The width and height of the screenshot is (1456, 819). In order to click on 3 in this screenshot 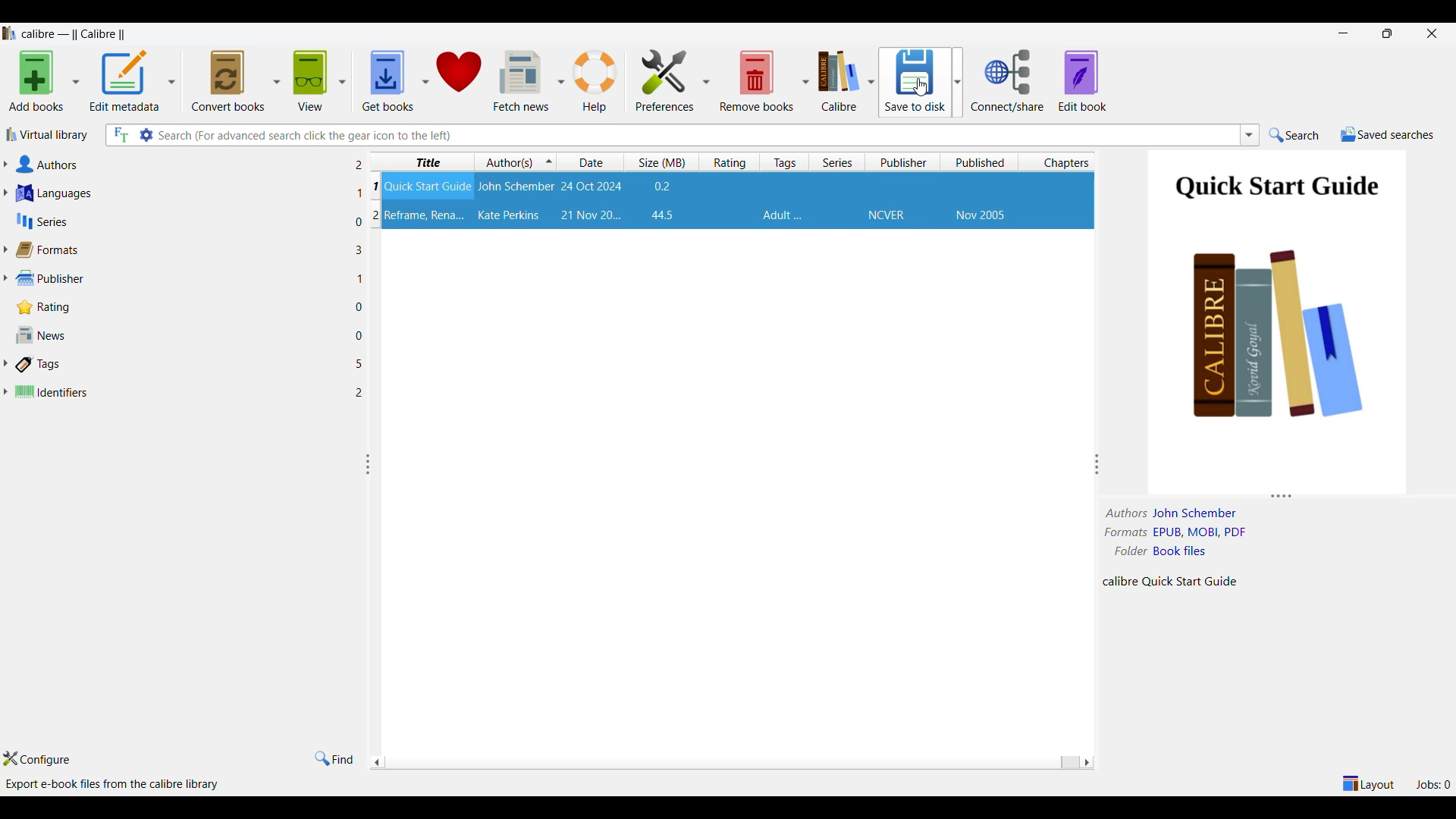, I will do `click(359, 249)`.